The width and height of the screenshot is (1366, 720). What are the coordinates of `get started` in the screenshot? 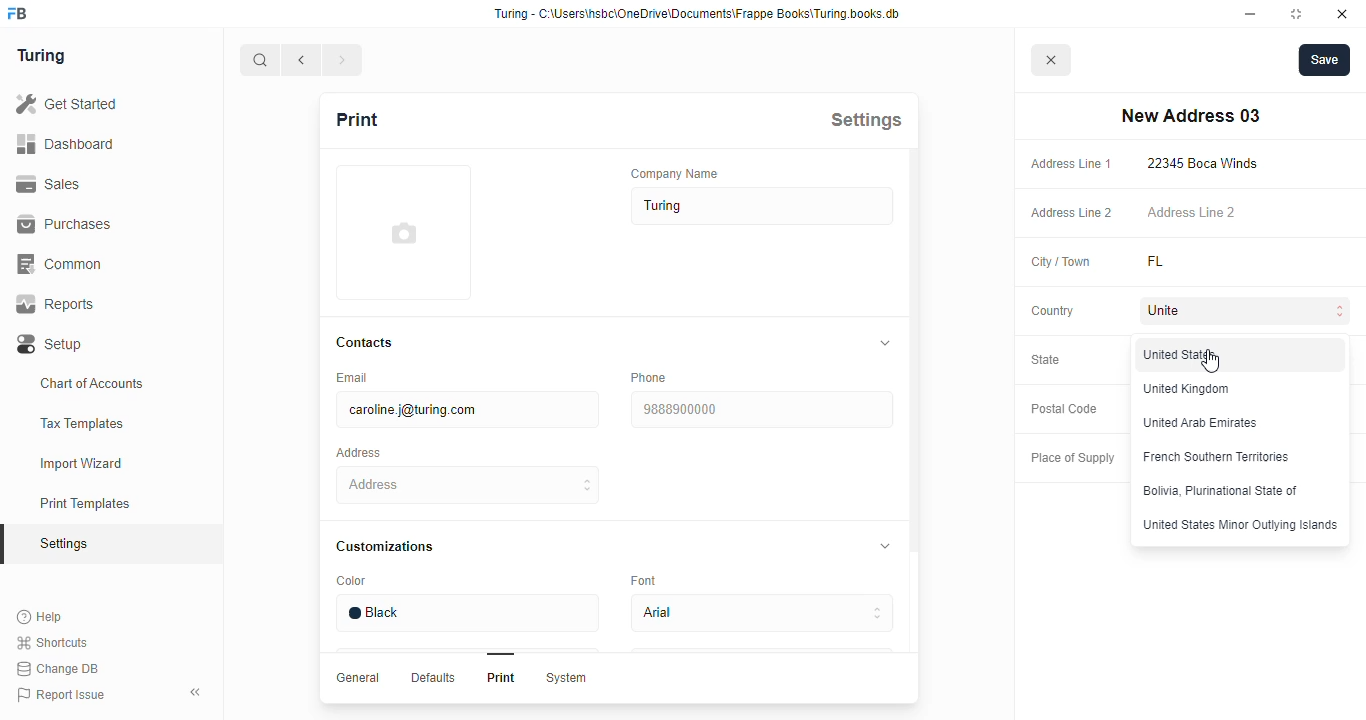 It's located at (66, 104).